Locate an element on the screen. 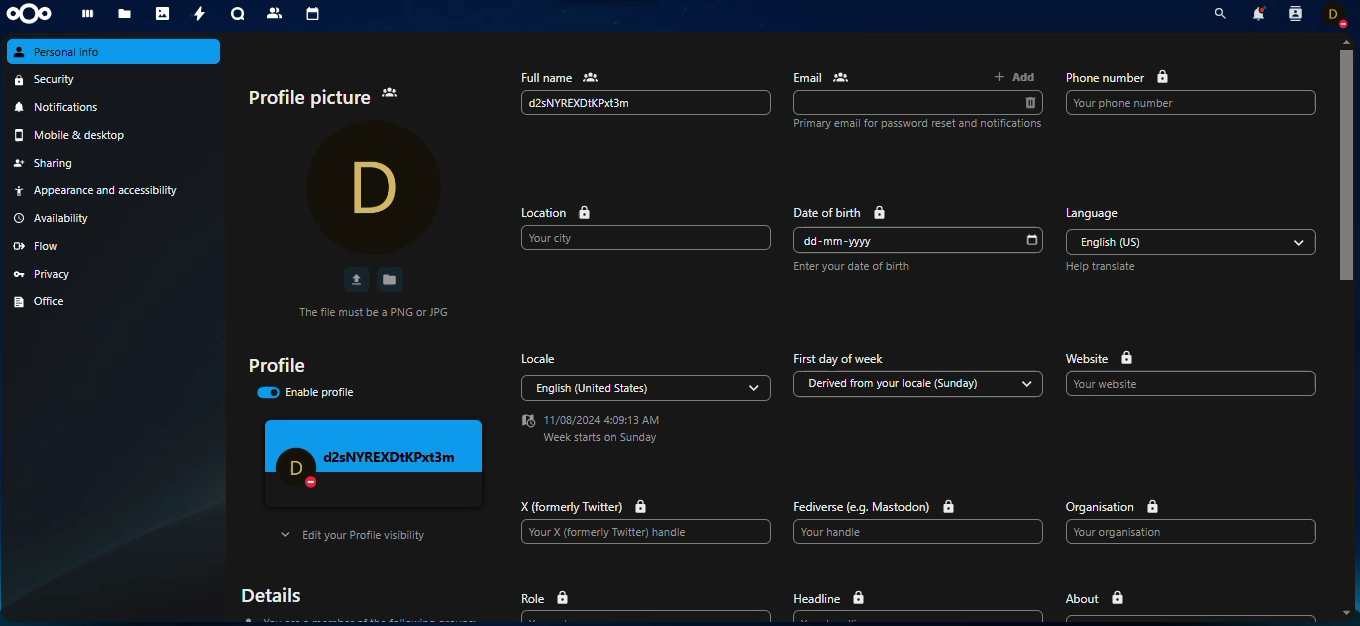 The height and width of the screenshot is (626, 1360). select date is located at coordinates (1030, 240).